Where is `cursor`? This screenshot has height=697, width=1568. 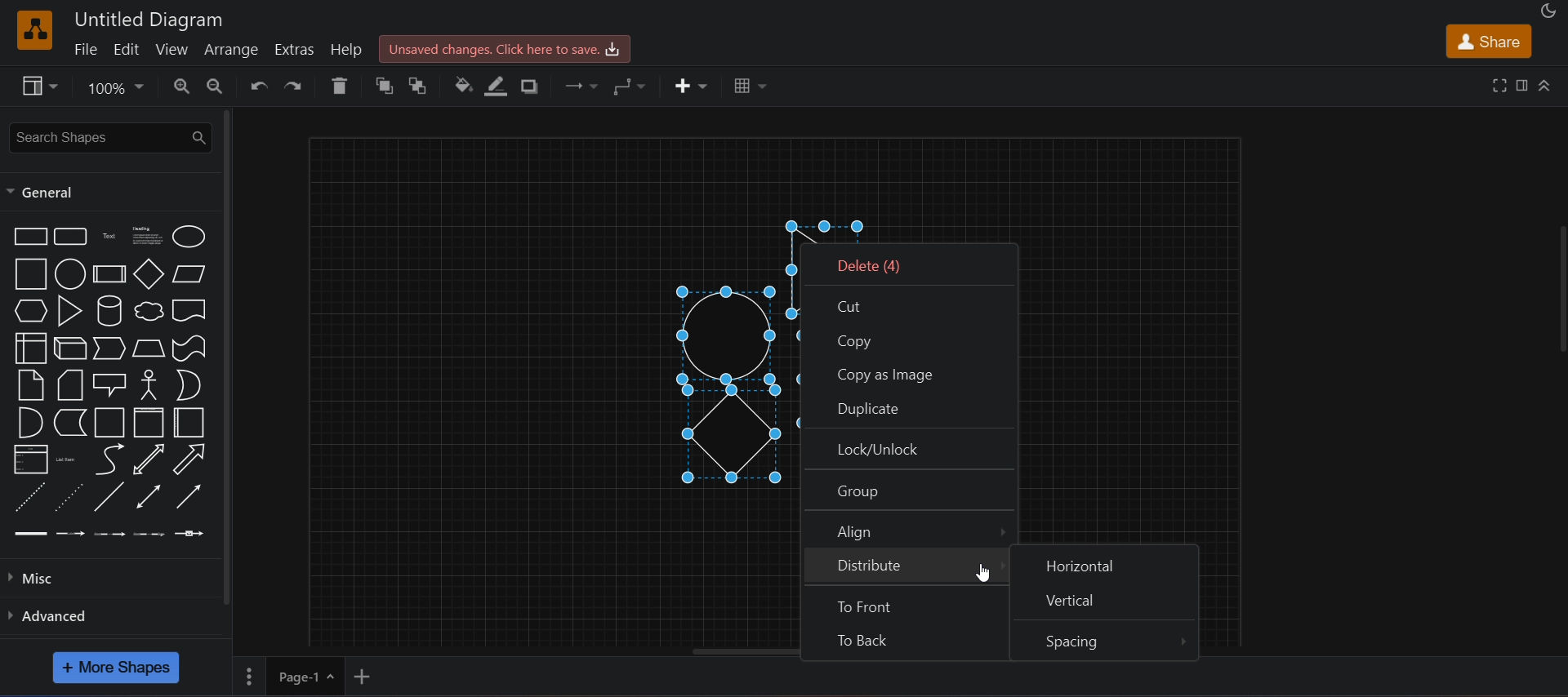 cursor is located at coordinates (983, 574).